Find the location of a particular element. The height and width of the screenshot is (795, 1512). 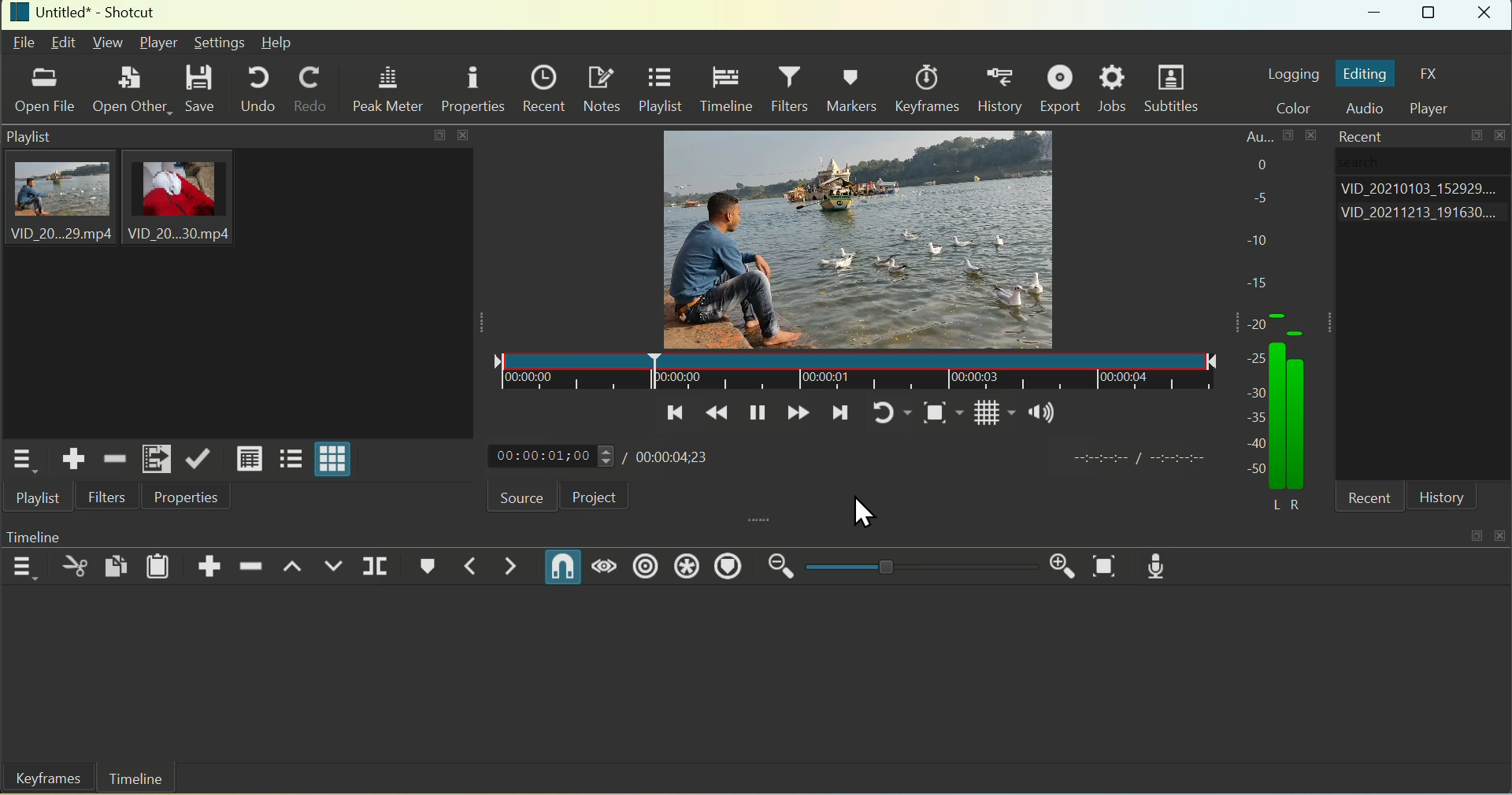

Add files to Playlist is located at coordinates (155, 458).